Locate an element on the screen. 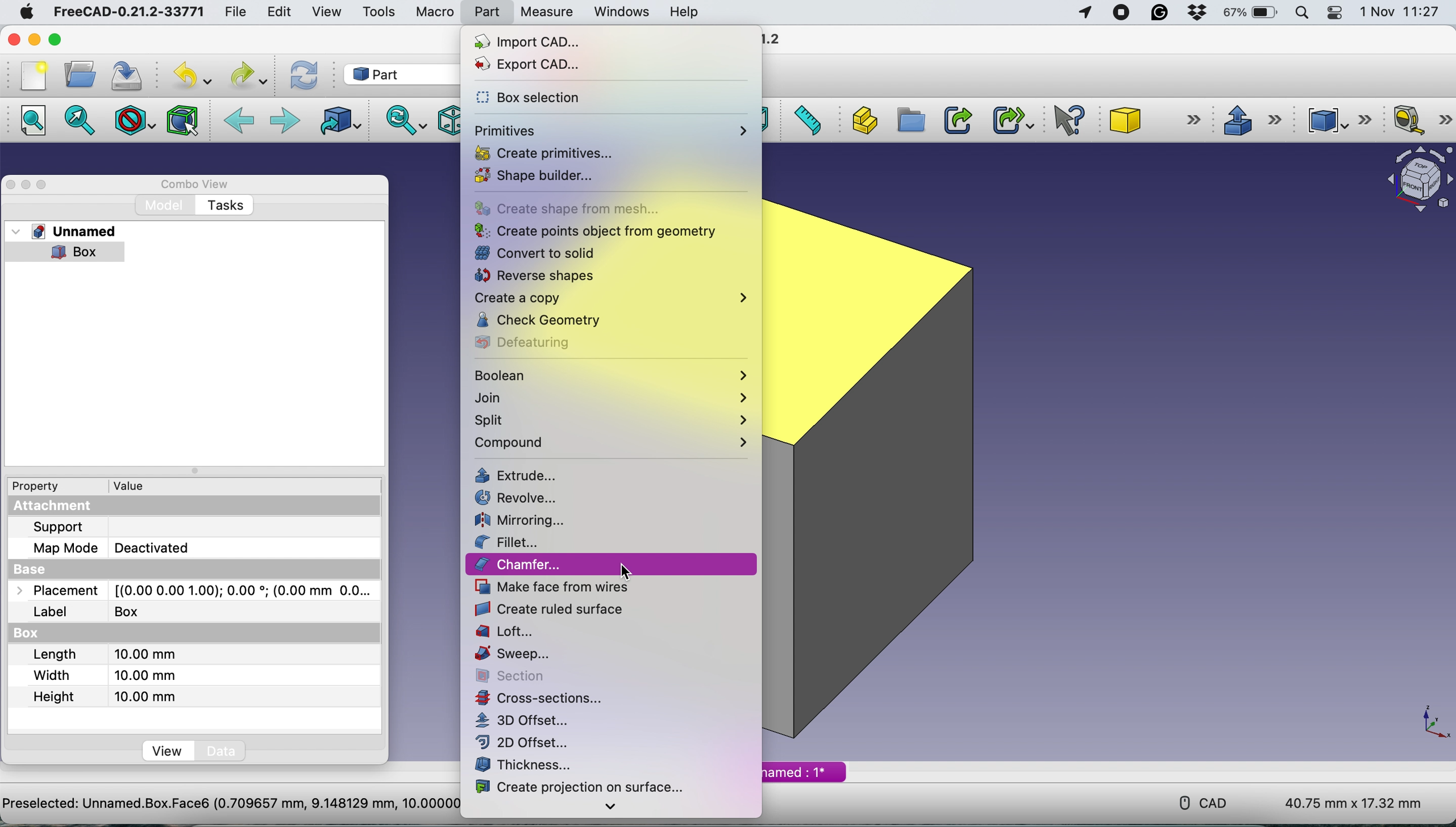 Image resolution: width=1456 pixels, height=827 pixels. draw style is located at coordinates (133, 120).